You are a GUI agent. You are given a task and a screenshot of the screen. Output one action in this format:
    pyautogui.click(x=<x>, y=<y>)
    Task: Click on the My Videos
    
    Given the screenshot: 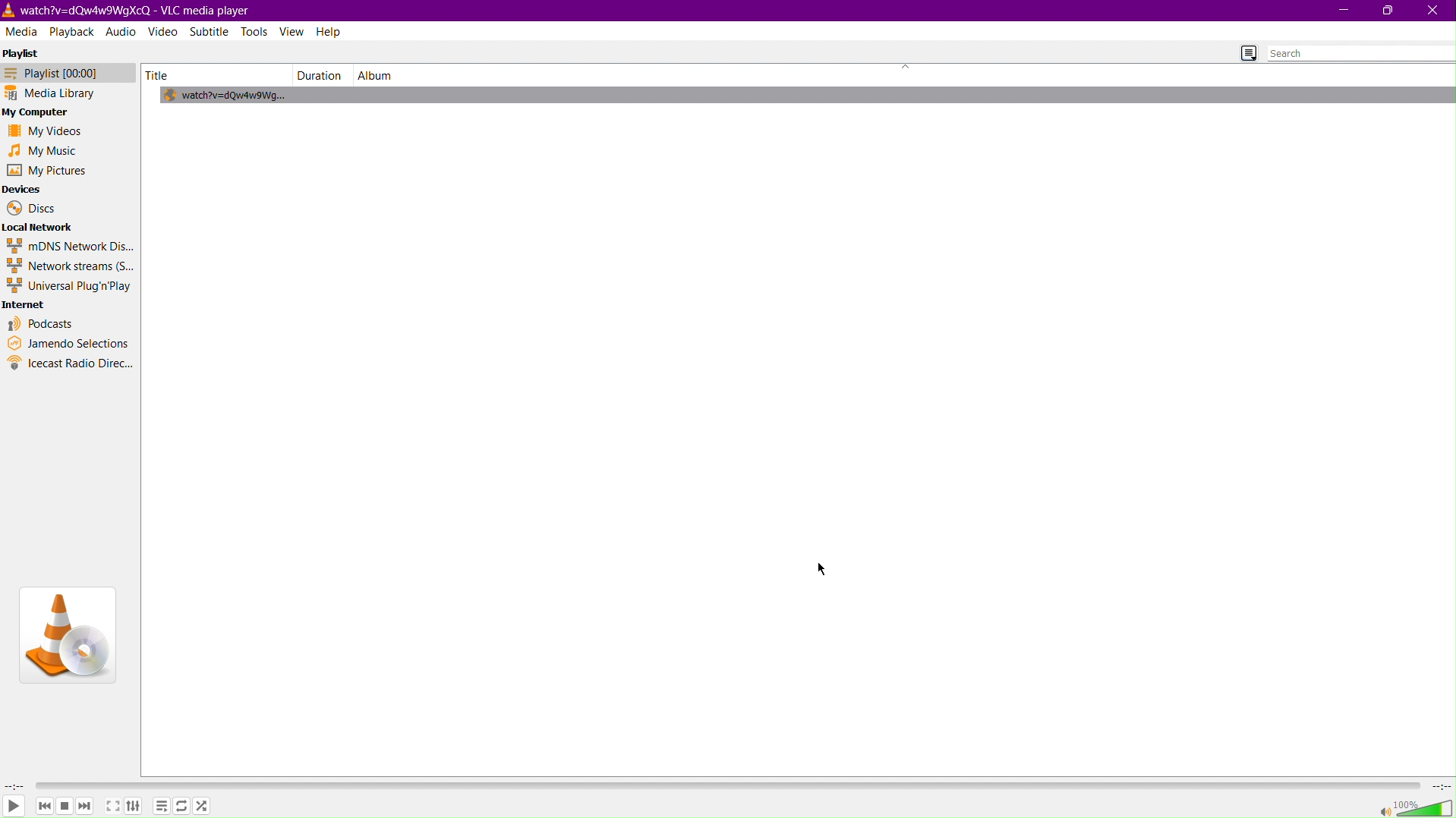 What is the action you would take?
    pyautogui.click(x=49, y=130)
    